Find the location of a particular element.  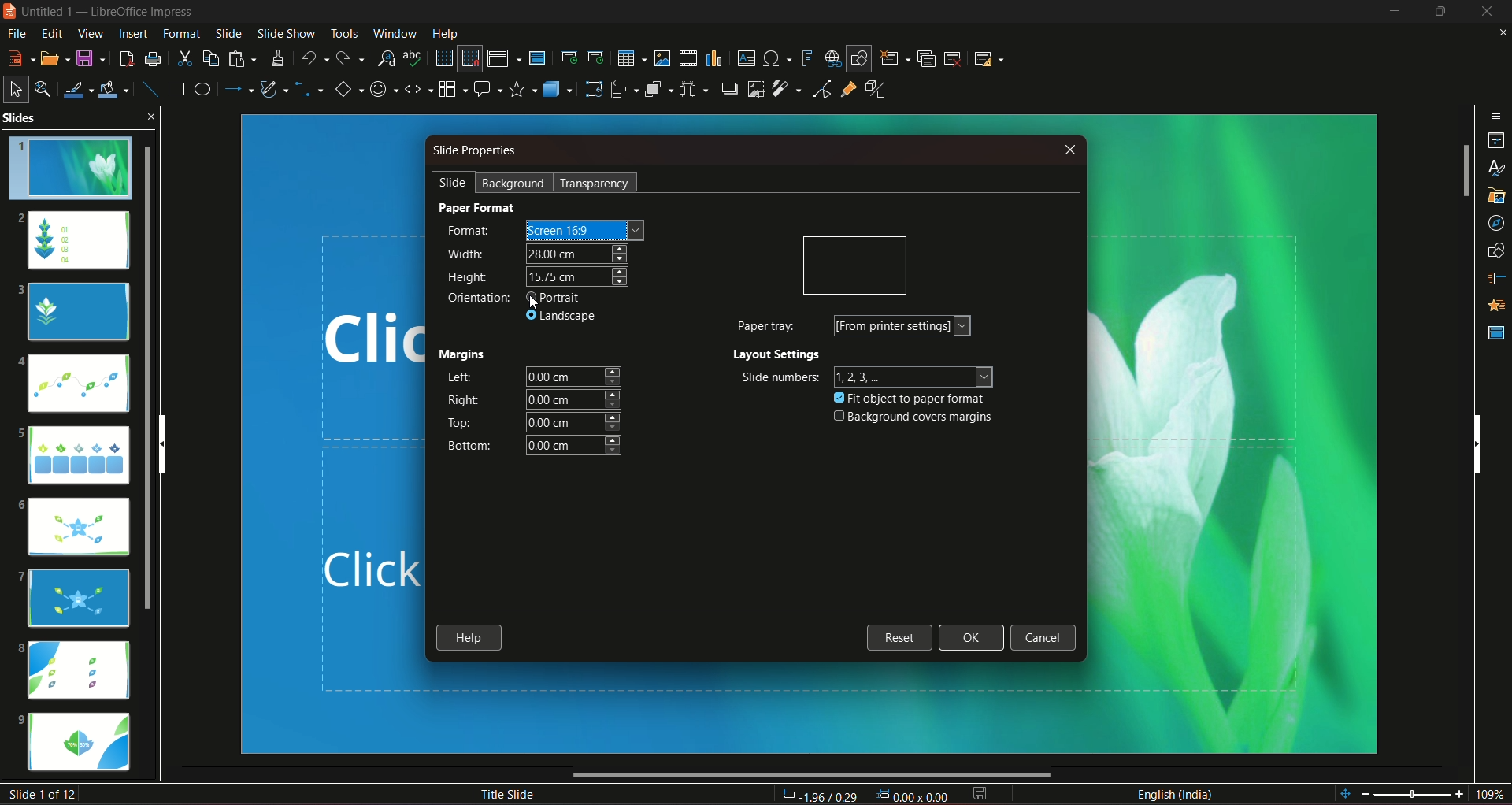

tools is located at coordinates (342, 32).